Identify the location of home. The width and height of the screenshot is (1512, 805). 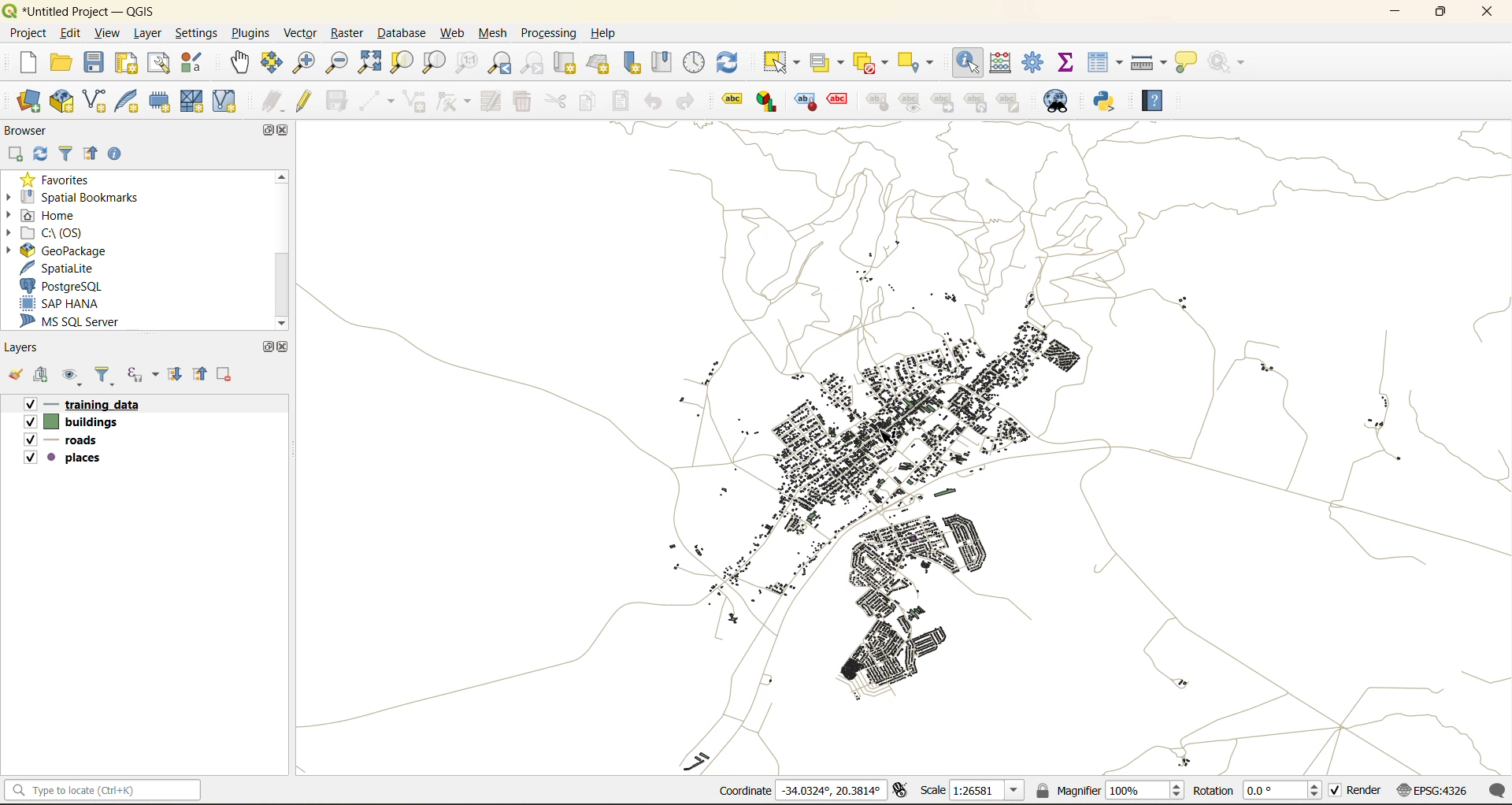
(47, 215).